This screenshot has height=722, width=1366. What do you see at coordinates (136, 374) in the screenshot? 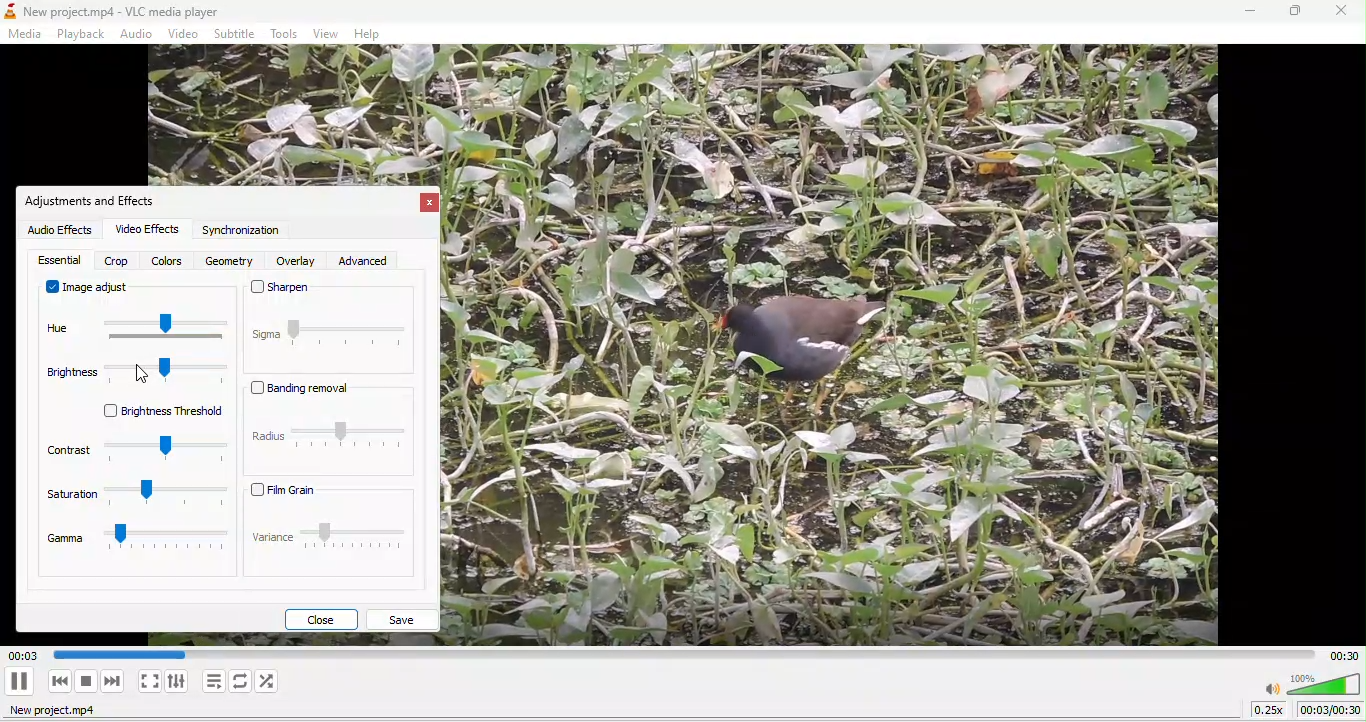
I see `cursor movement` at bounding box center [136, 374].